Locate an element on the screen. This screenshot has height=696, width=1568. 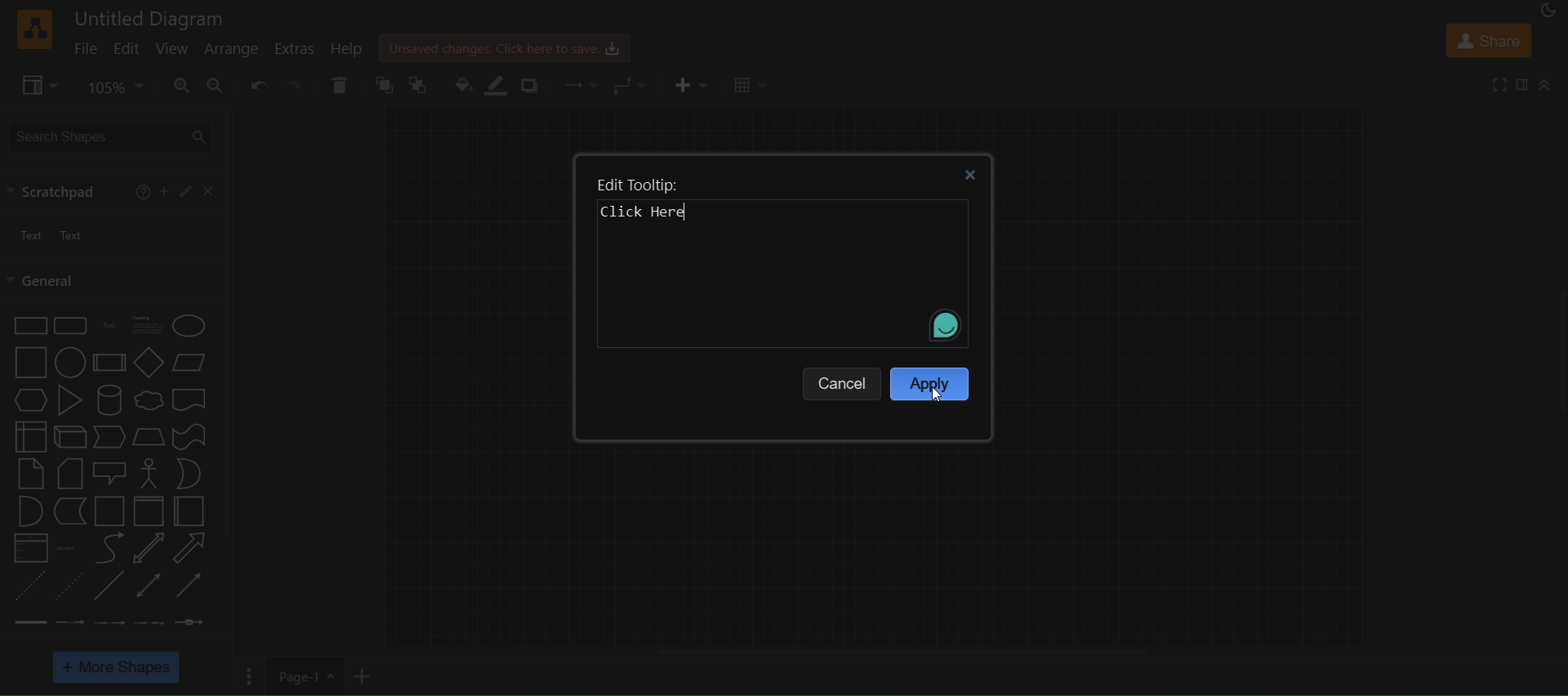
vertical container is located at coordinates (148, 511).